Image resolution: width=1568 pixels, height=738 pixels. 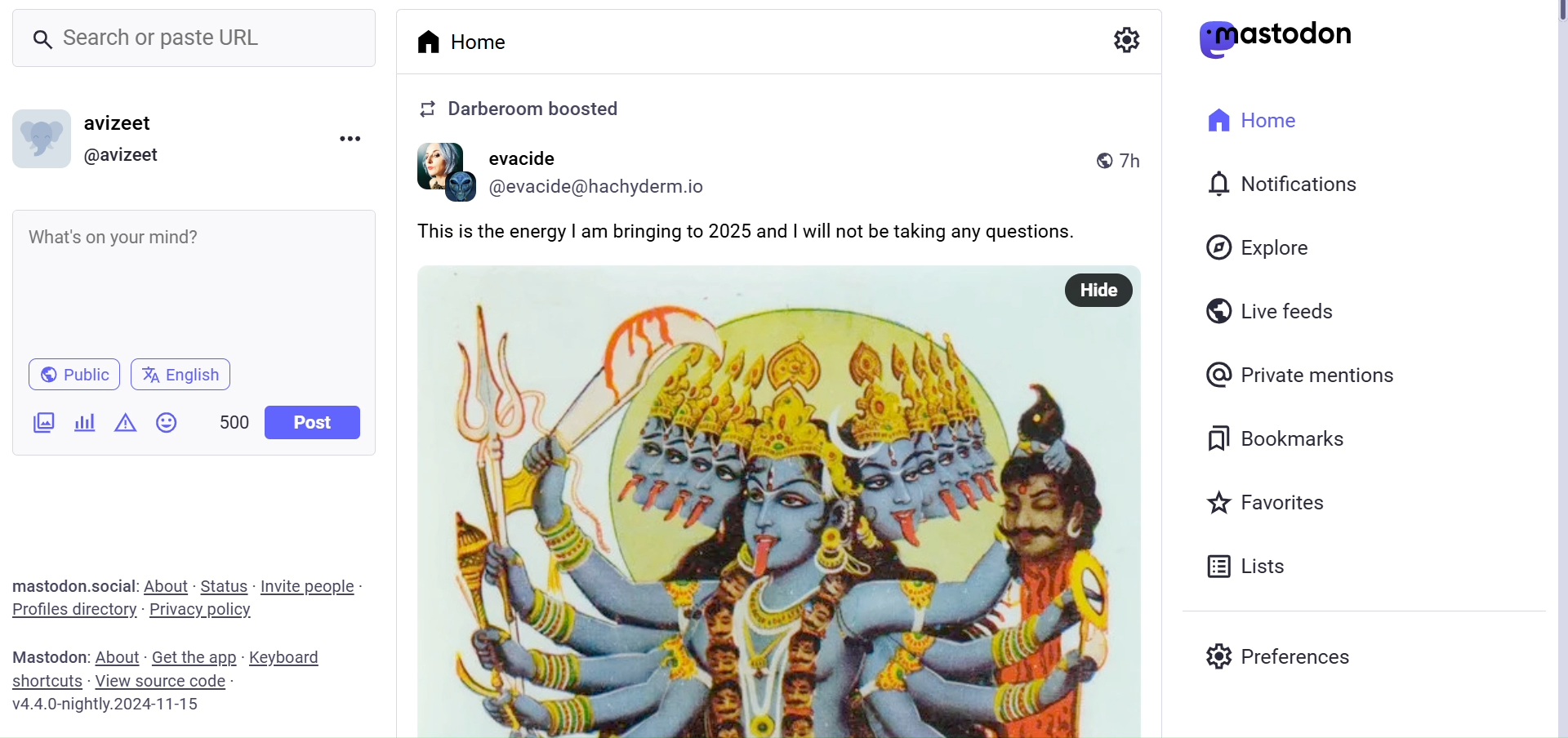 What do you see at coordinates (350, 138) in the screenshot?
I see `Menu` at bounding box center [350, 138].